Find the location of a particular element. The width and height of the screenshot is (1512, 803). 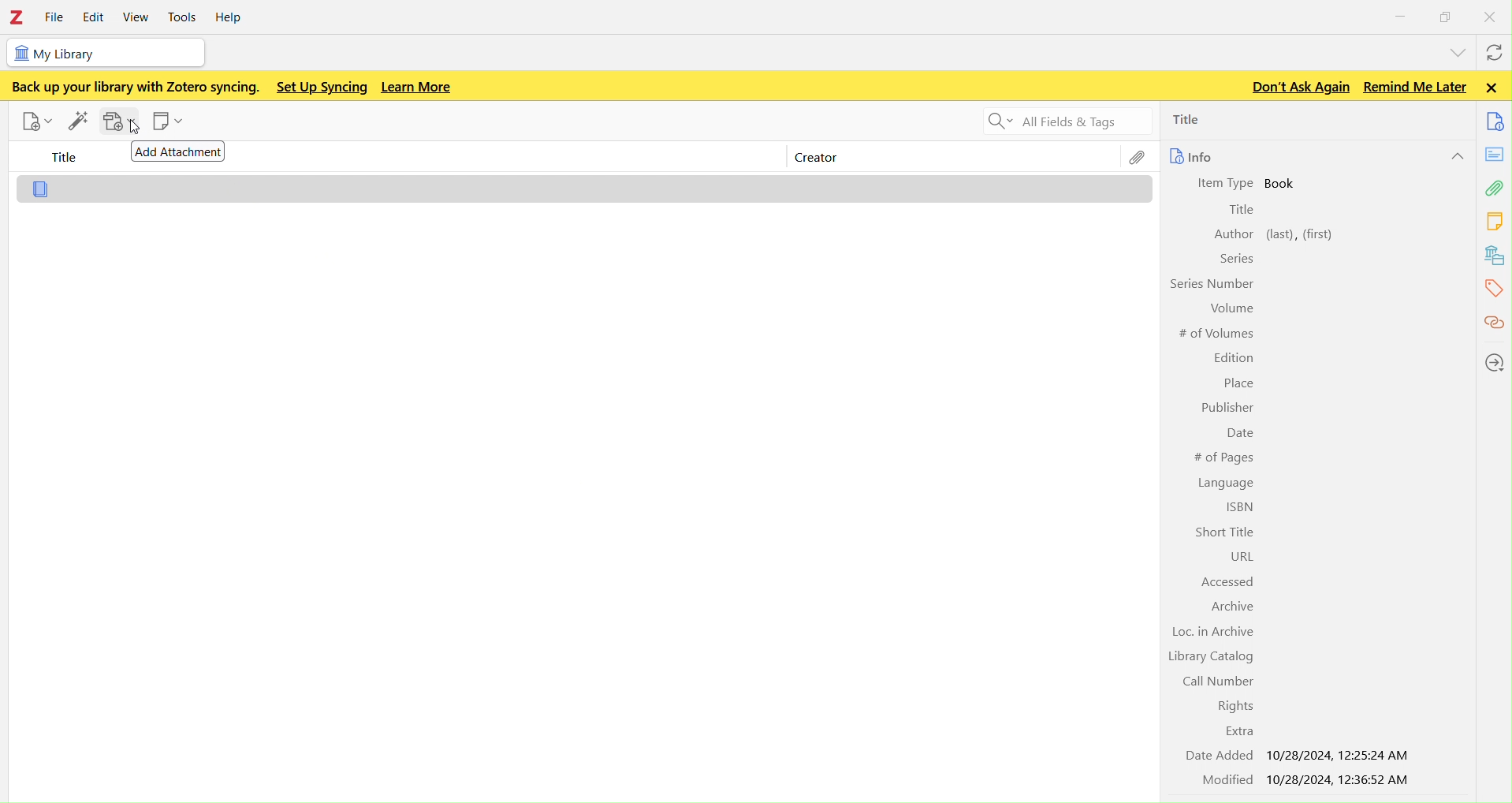

Place is located at coordinates (1239, 383).